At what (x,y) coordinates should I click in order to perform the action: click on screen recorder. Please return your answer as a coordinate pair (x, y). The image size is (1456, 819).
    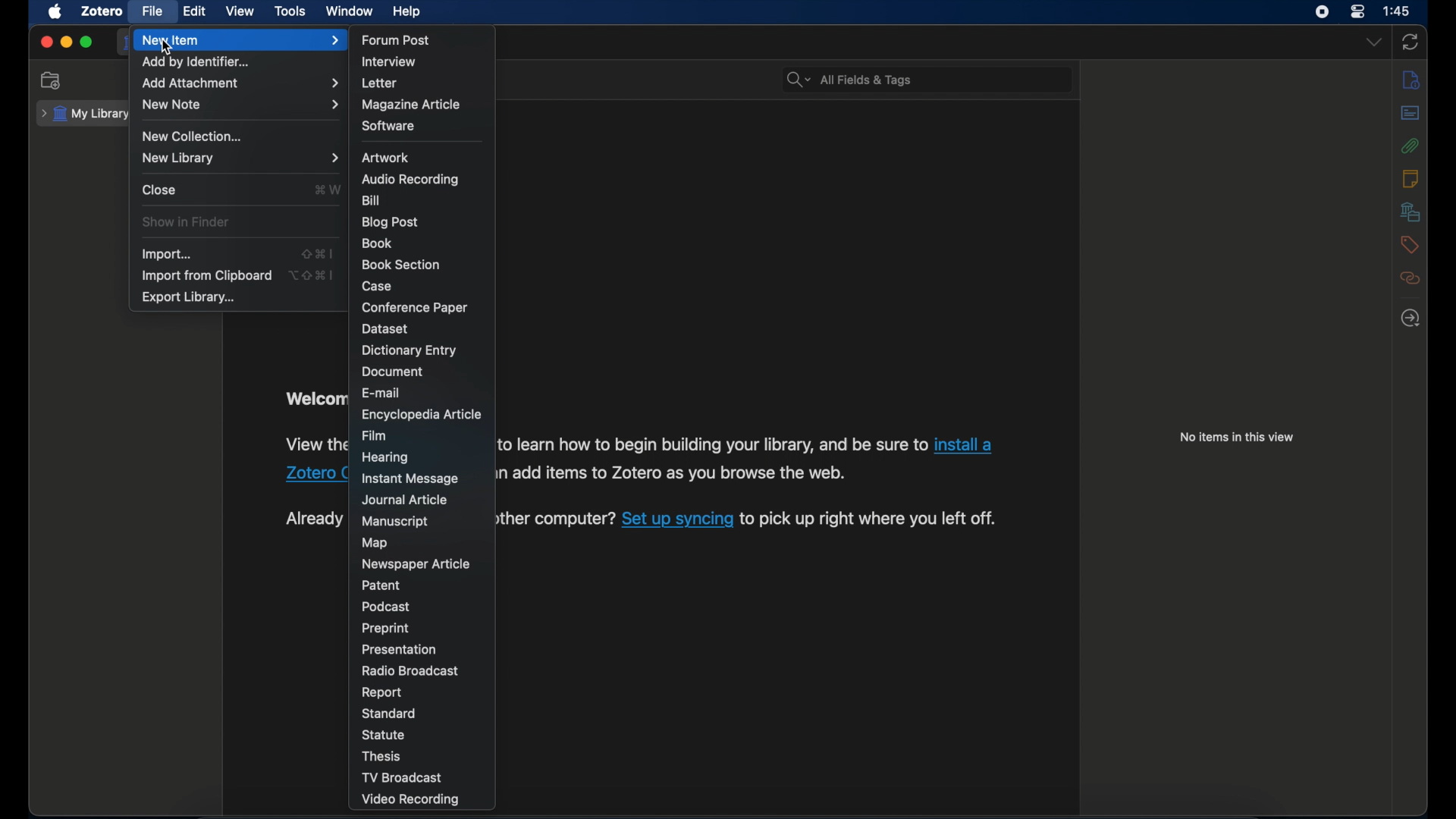
    Looking at the image, I should click on (1323, 12).